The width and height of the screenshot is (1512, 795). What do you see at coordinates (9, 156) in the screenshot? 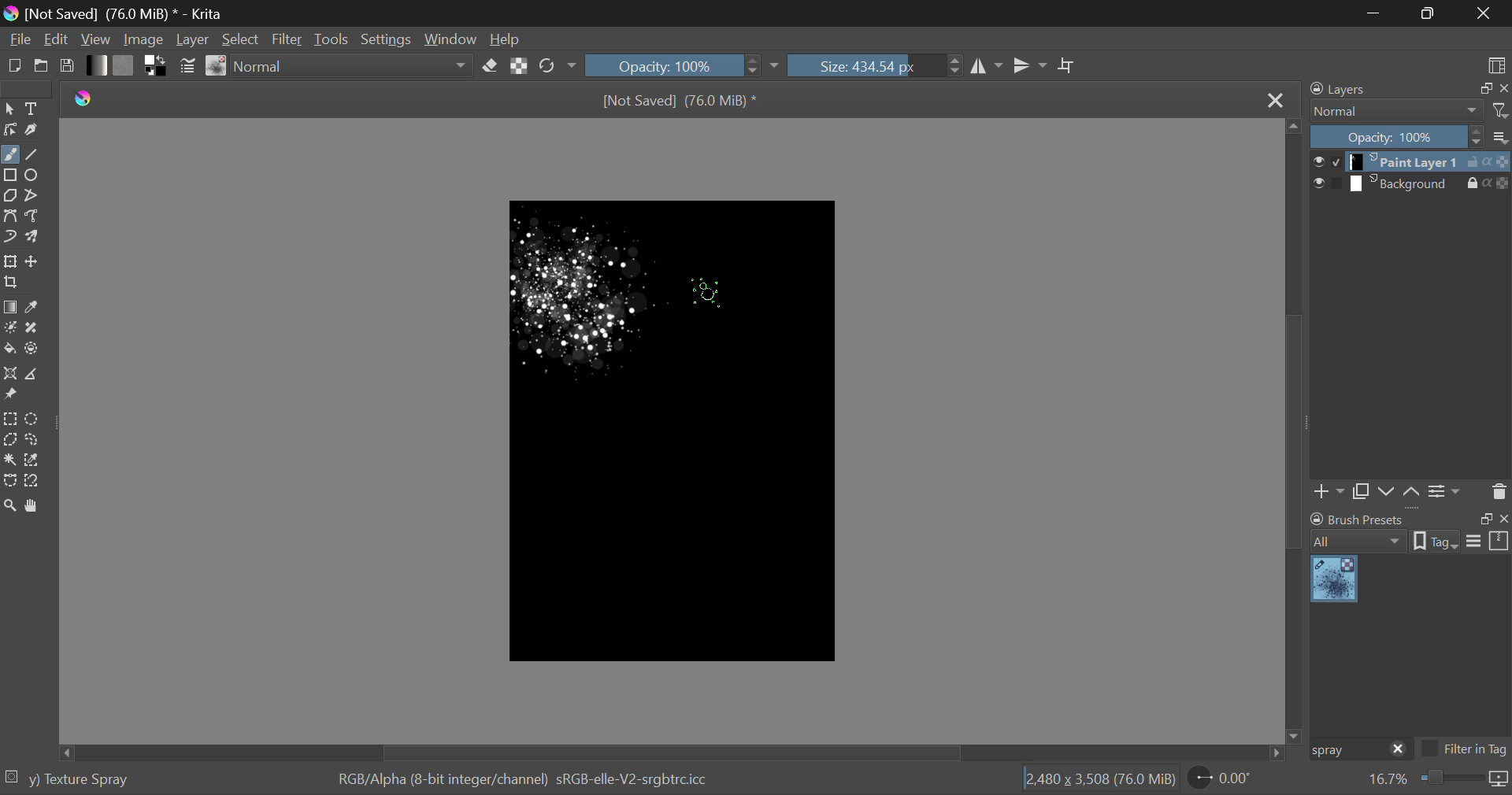
I see `Freehand Paintbrush selected` at bounding box center [9, 156].